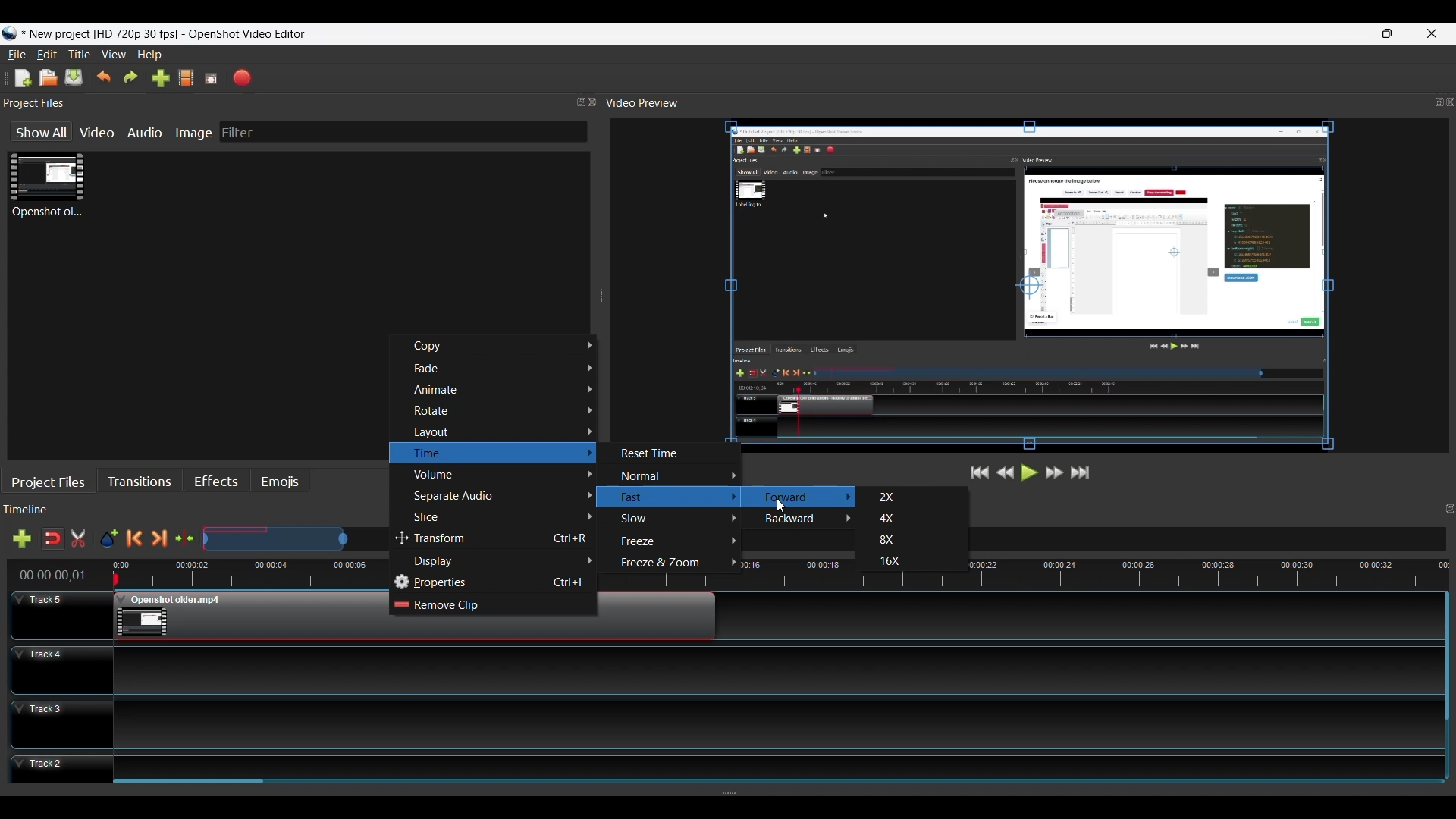  Describe the element at coordinates (1032, 288) in the screenshot. I see `Preview Window` at that location.